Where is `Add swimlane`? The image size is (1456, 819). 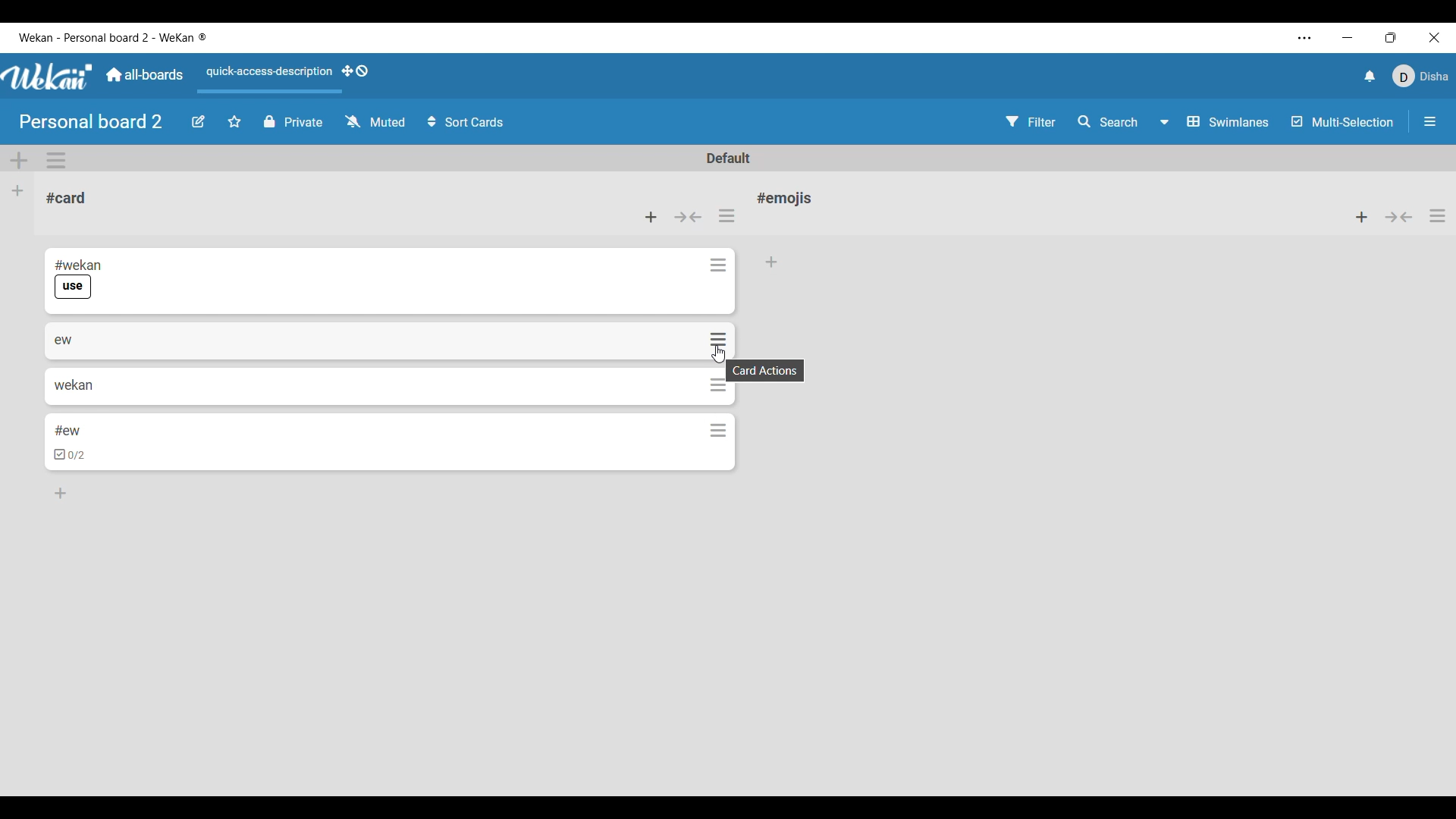
Add swimlane is located at coordinates (19, 161).